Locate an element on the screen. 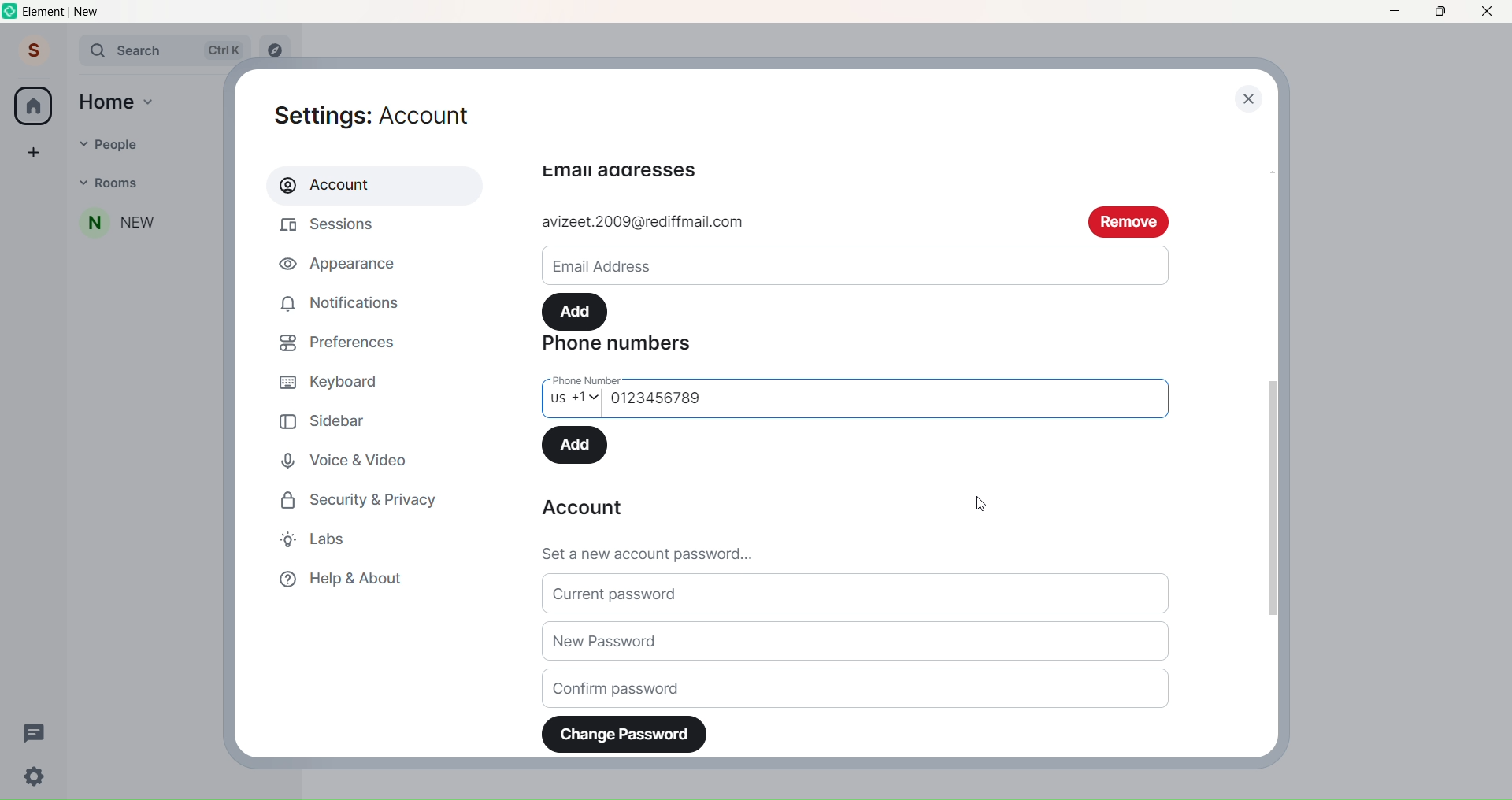 The width and height of the screenshot is (1512, 800). Appearance is located at coordinates (342, 267).